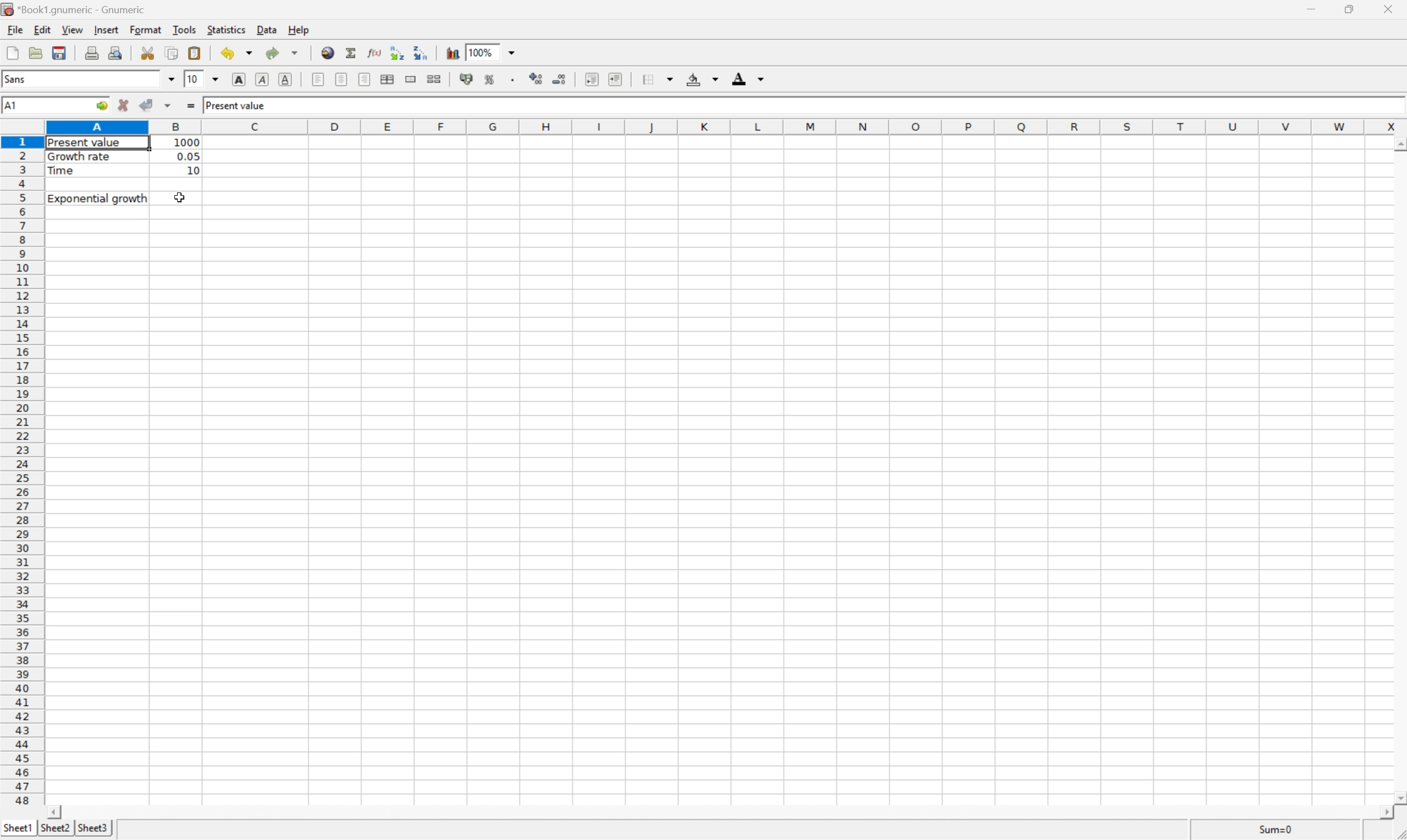 The width and height of the screenshot is (1407, 840). I want to click on 1000, so click(186, 142).